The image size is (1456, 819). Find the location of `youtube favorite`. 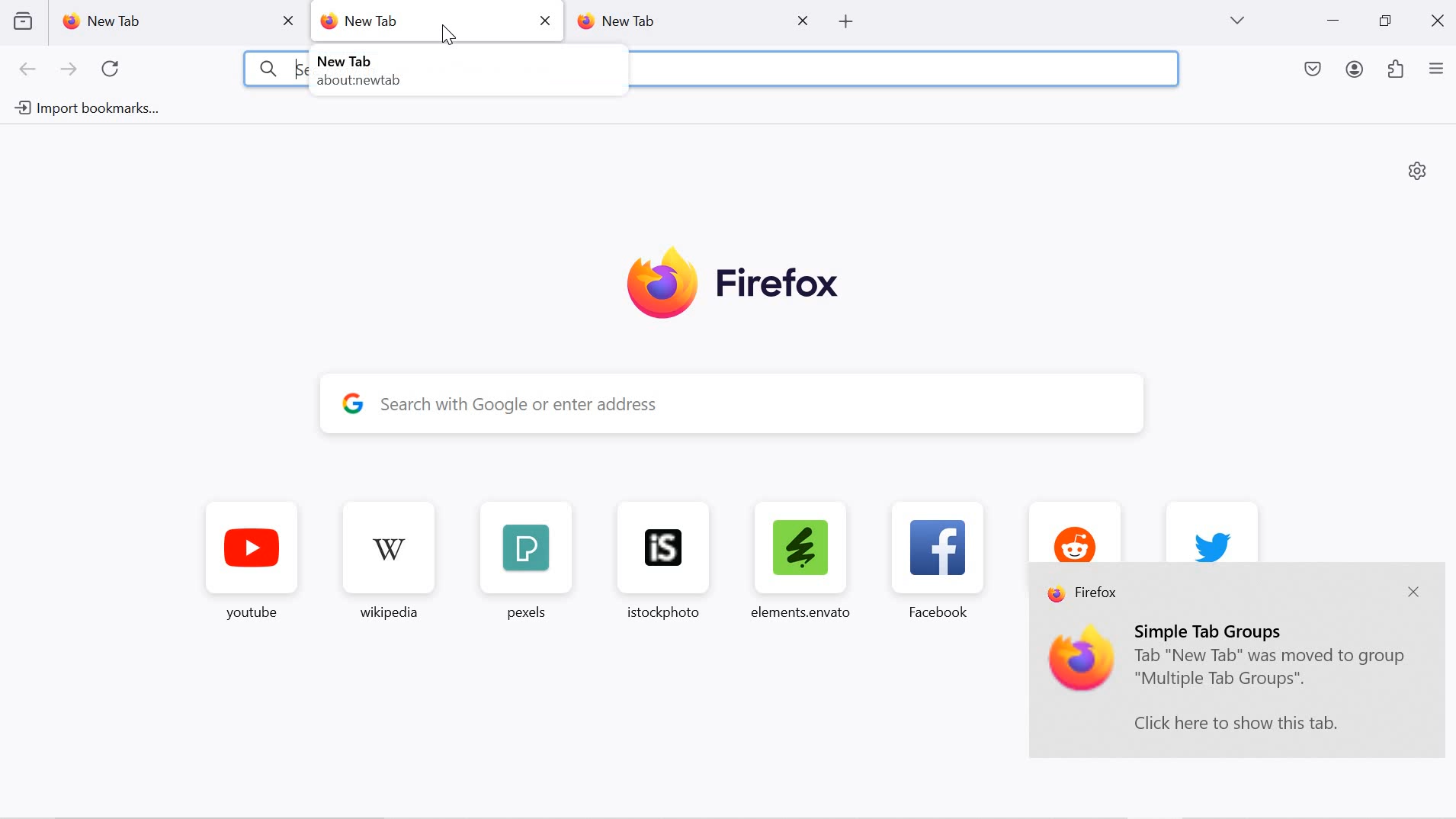

youtube favorite is located at coordinates (252, 564).